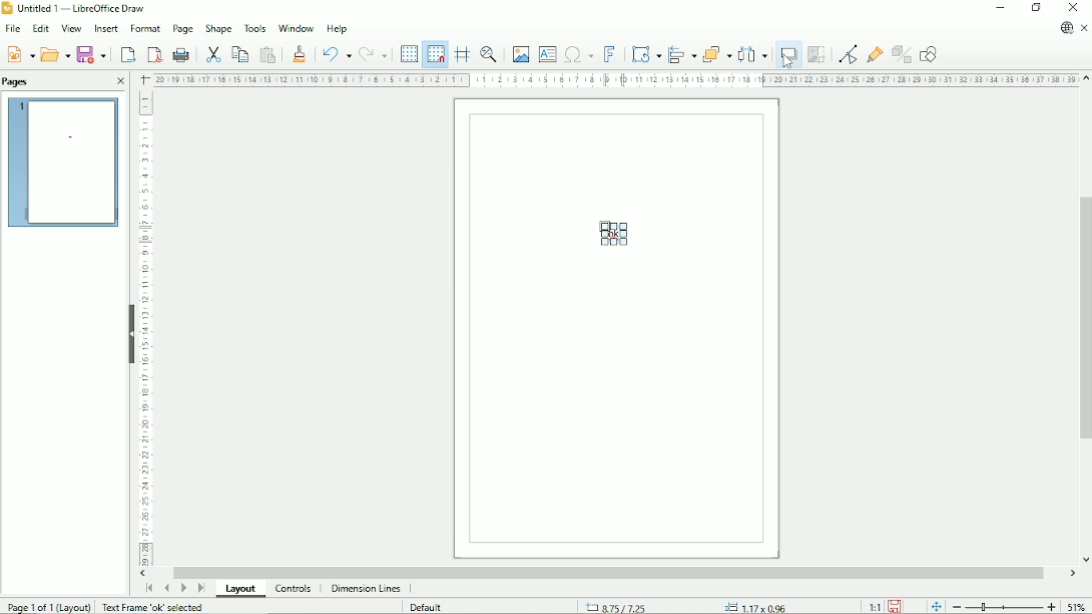  What do you see at coordinates (461, 54) in the screenshot?
I see `Helplines while moving` at bounding box center [461, 54].